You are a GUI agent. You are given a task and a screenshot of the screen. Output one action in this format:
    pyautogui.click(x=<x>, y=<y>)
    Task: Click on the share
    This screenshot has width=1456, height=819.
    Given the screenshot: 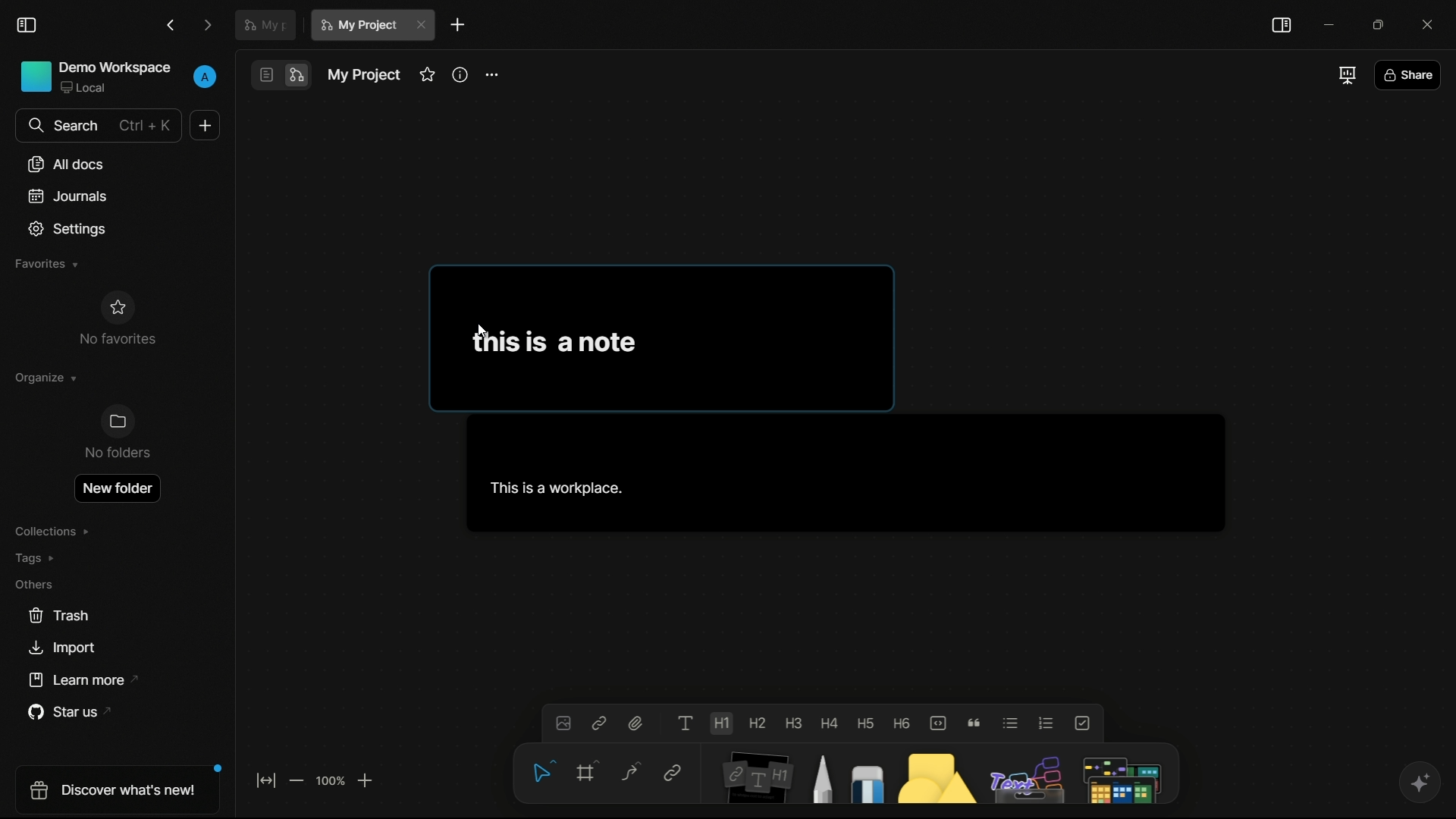 What is the action you would take?
    pyautogui.click(x=1410, y=74)
    